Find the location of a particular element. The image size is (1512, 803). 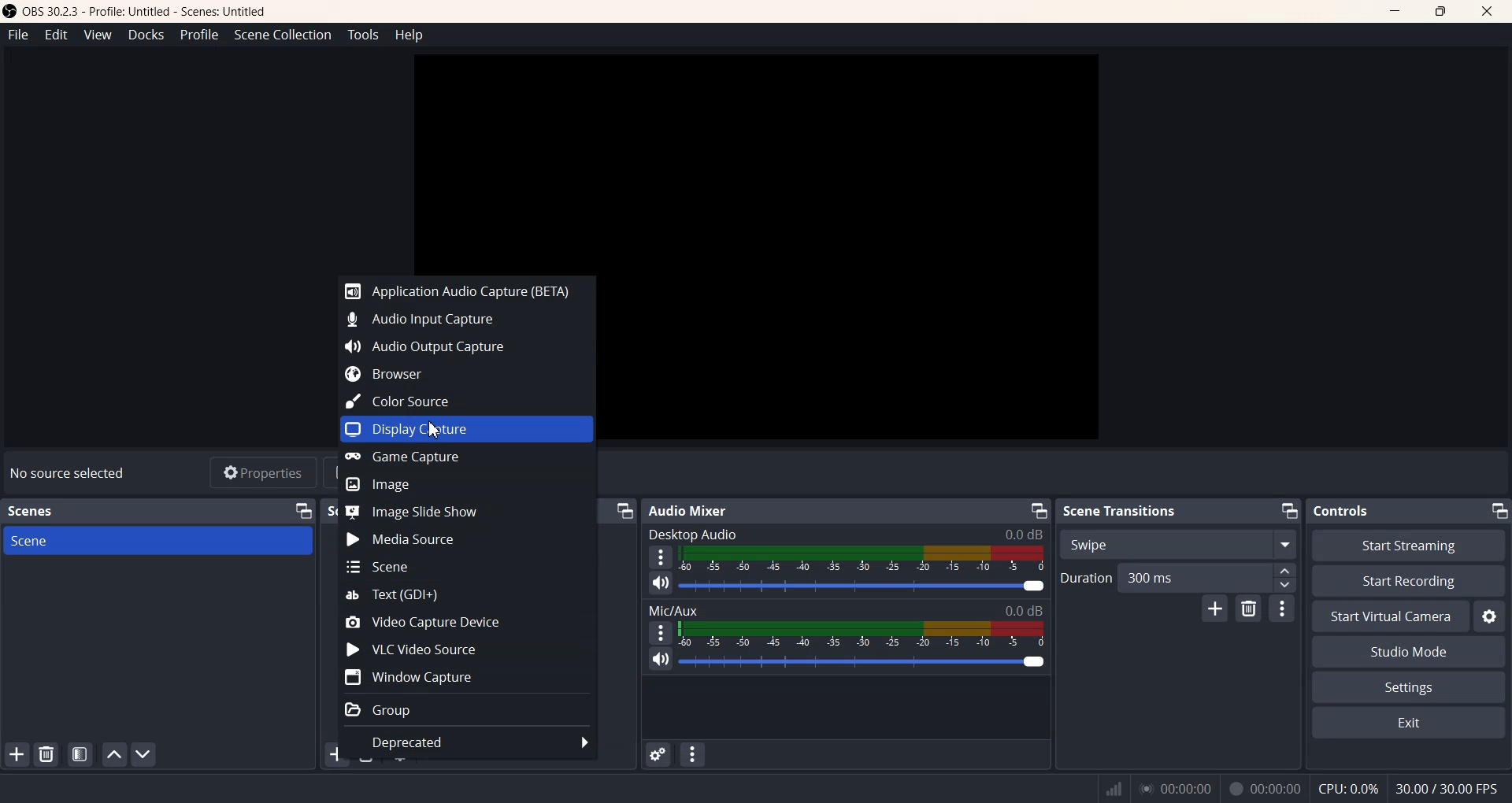

& 00:00:00 is located at coordinates (1265, 789).